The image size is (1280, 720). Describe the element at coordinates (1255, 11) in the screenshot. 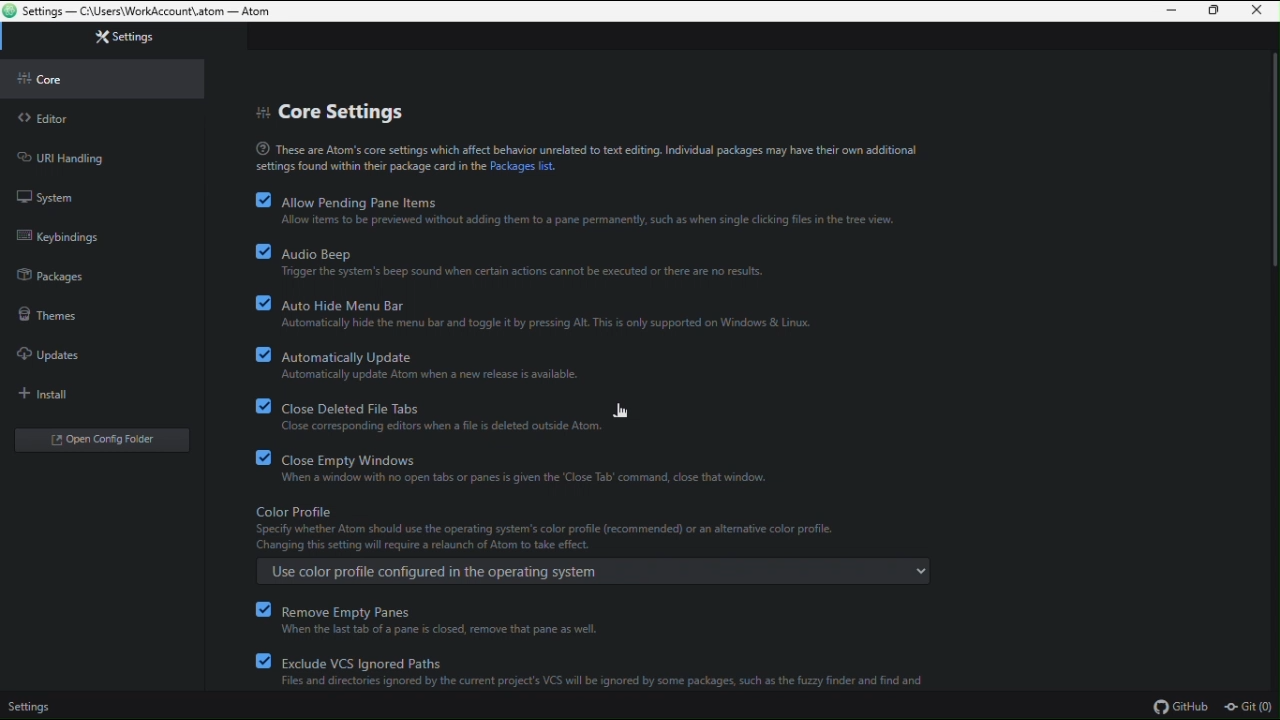

I see `close` at that location.